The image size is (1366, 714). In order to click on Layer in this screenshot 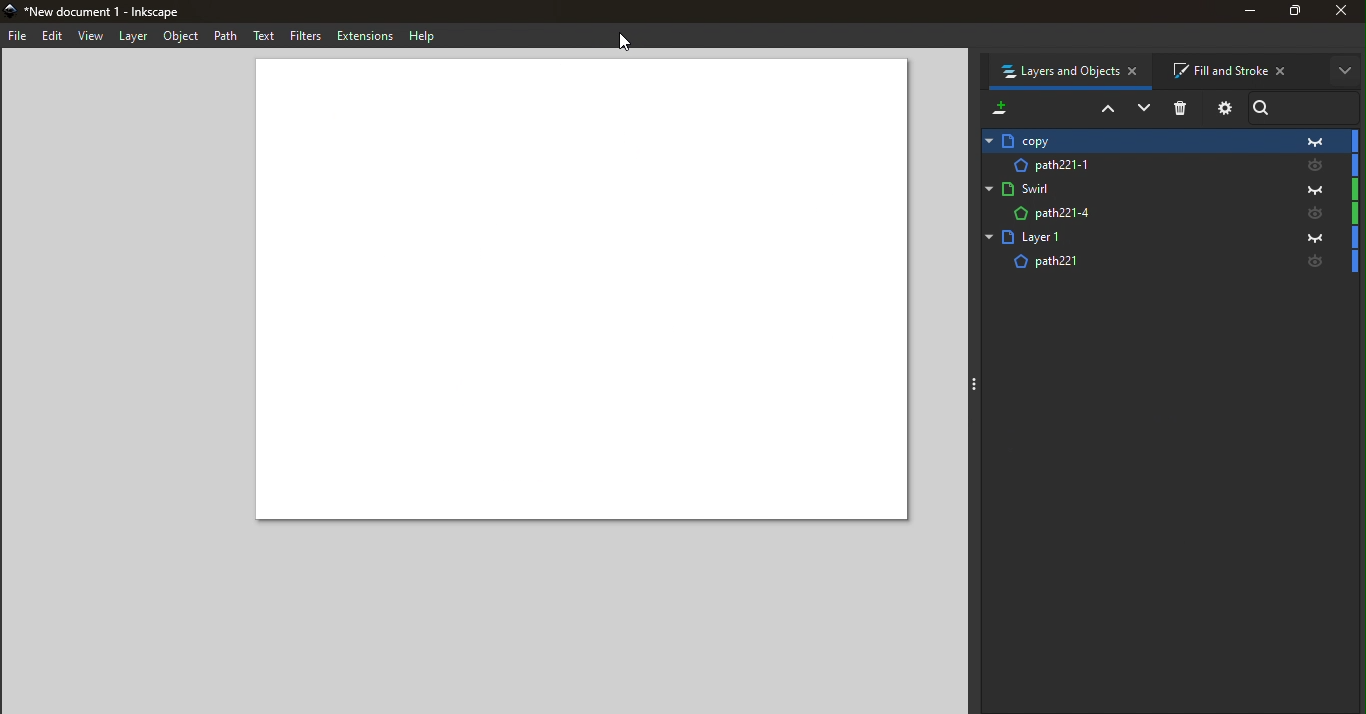, I will do `click(1135, 236)`.